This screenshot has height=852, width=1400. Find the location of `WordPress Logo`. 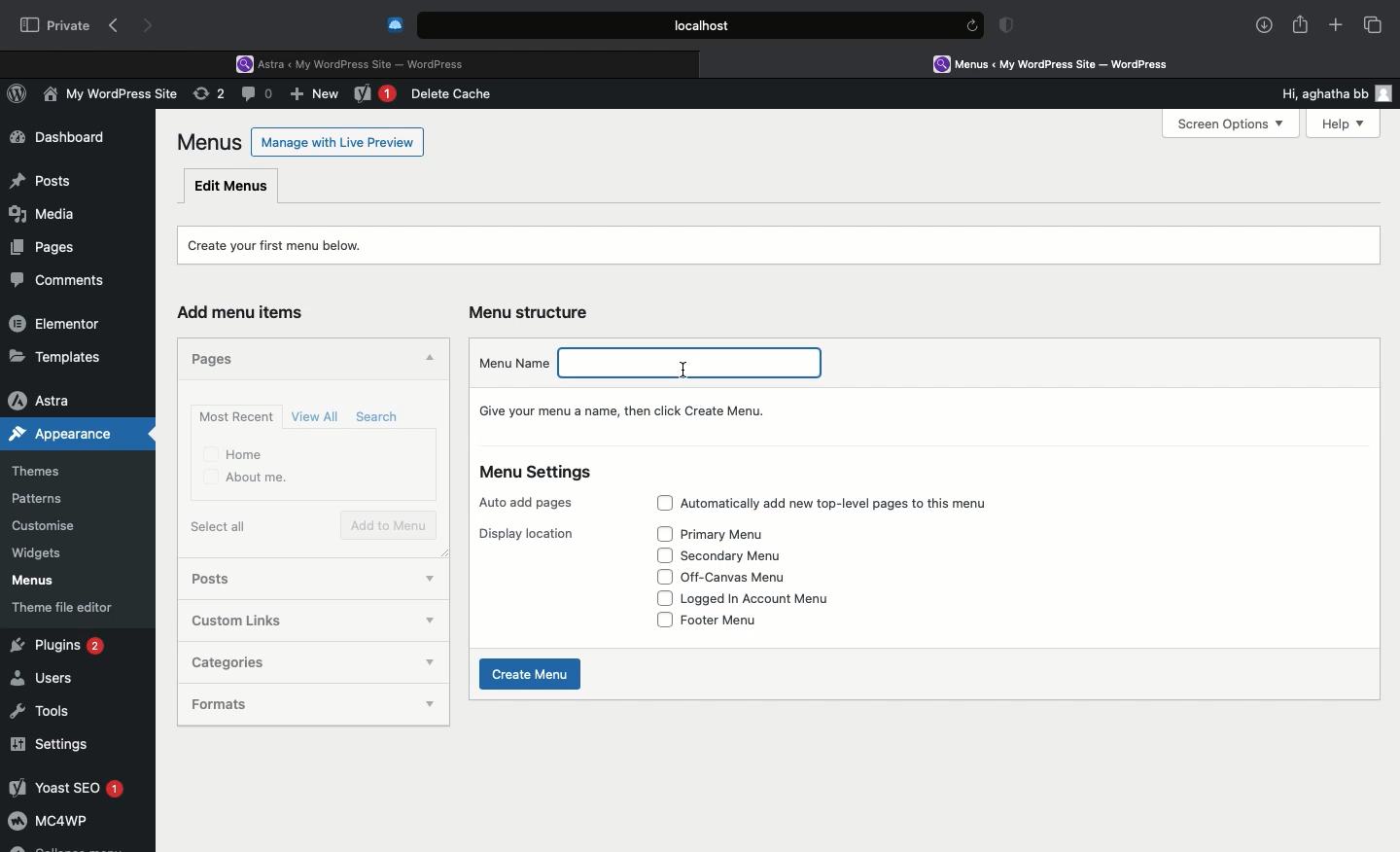

WordPress Logo is located at coordinates (20, 96).